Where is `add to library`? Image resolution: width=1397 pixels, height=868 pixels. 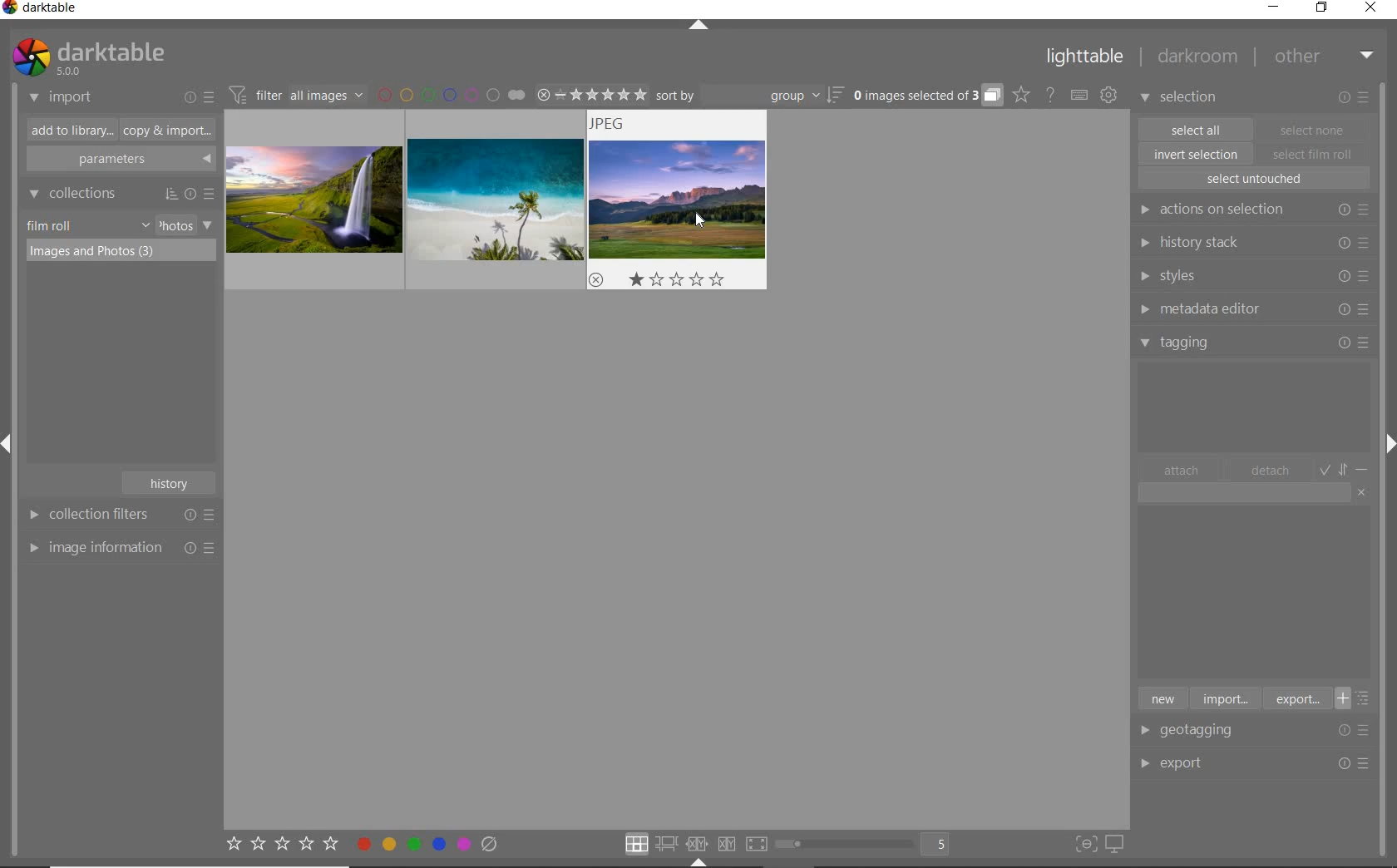 add to library is located at coordinates (67, 131).